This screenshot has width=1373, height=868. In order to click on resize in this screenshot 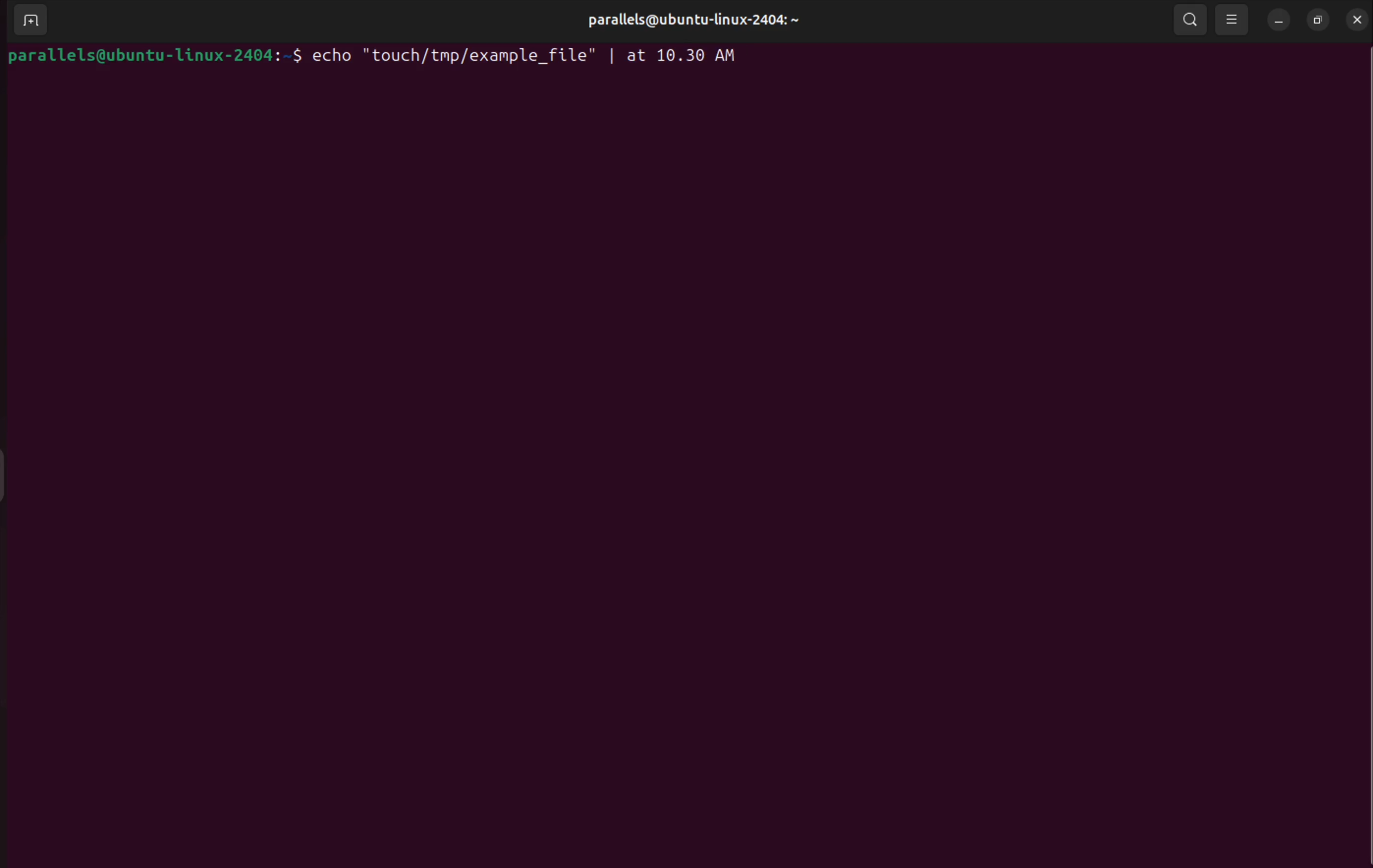, I will do `click(1318, 19)`.